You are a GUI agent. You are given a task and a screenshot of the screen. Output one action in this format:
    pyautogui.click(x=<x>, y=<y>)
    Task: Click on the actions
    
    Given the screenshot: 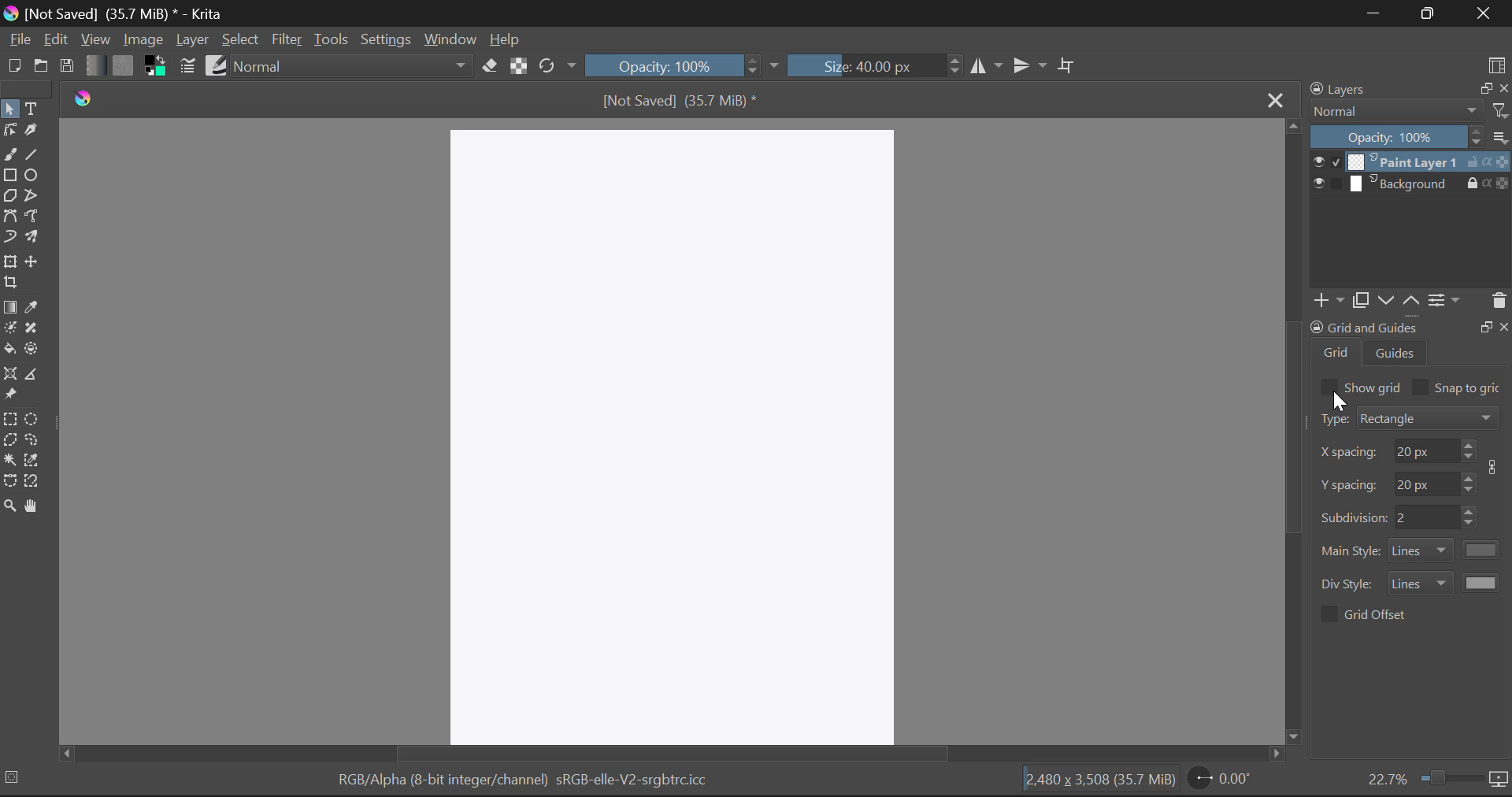 What is the action you would take?
    pyautogui.click(x=1488, y=161)
    